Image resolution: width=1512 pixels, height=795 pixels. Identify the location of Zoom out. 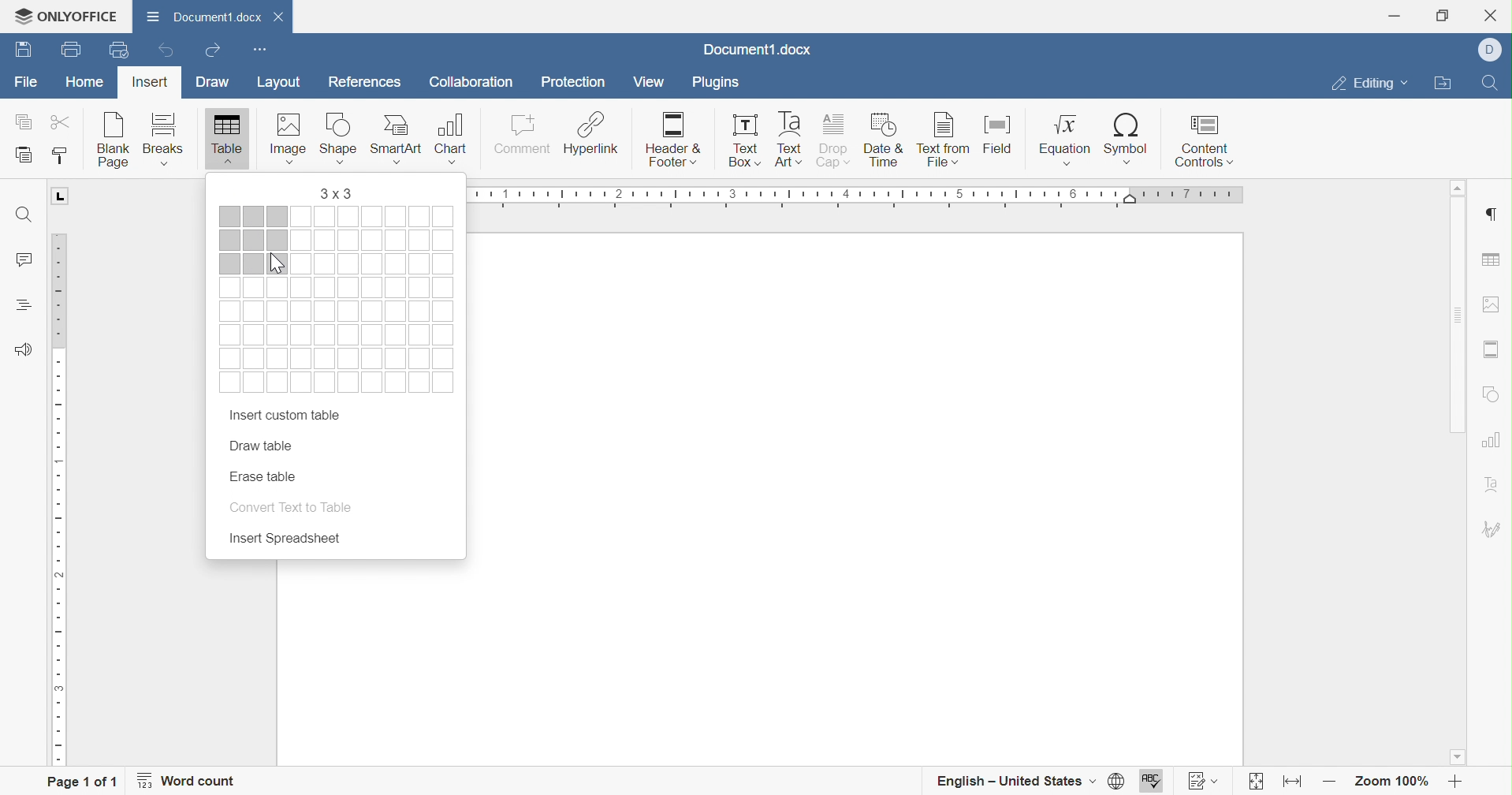
(1328, 781).